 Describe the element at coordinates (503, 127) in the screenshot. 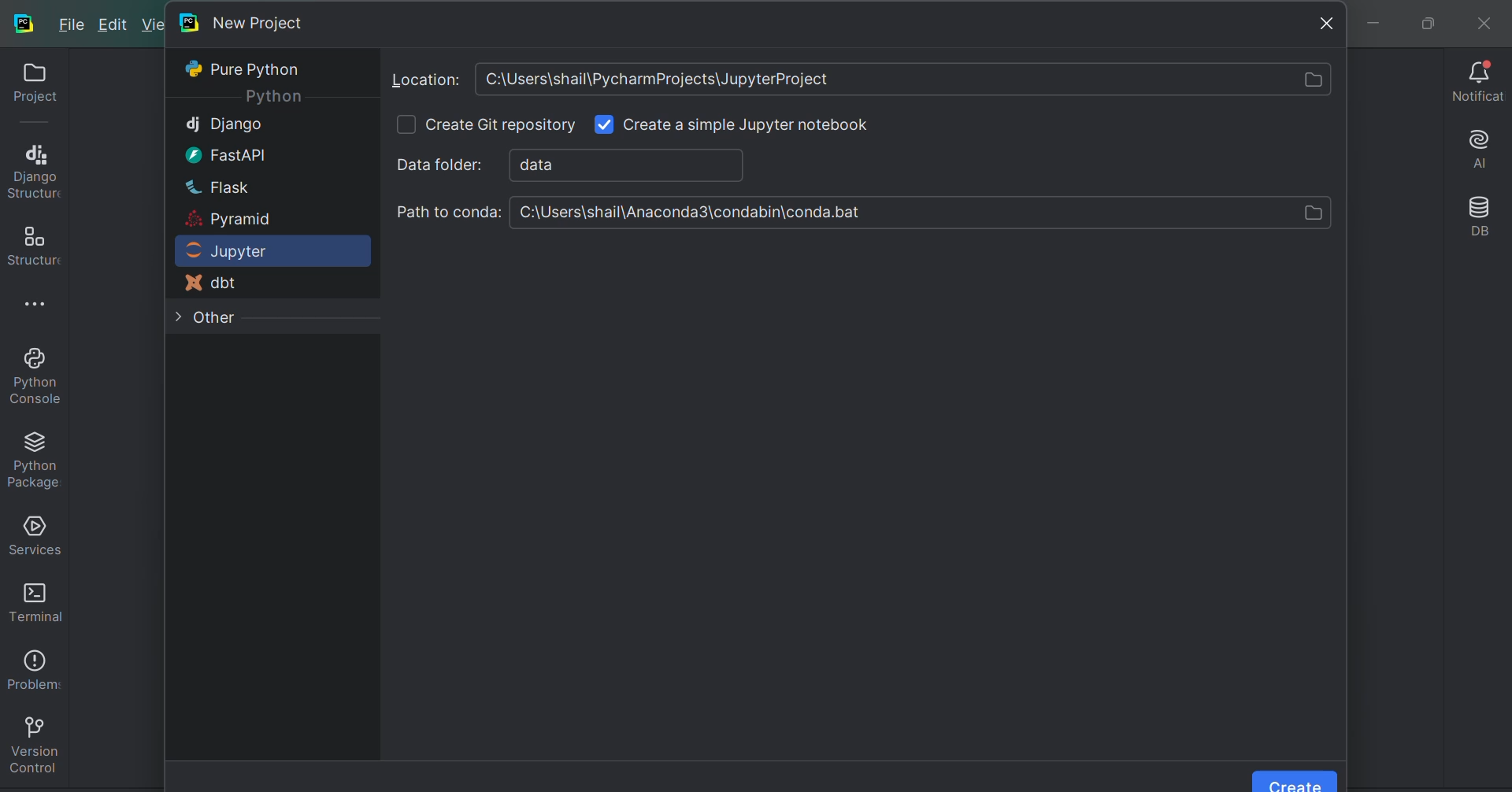

I see `Create git repository` at that location.